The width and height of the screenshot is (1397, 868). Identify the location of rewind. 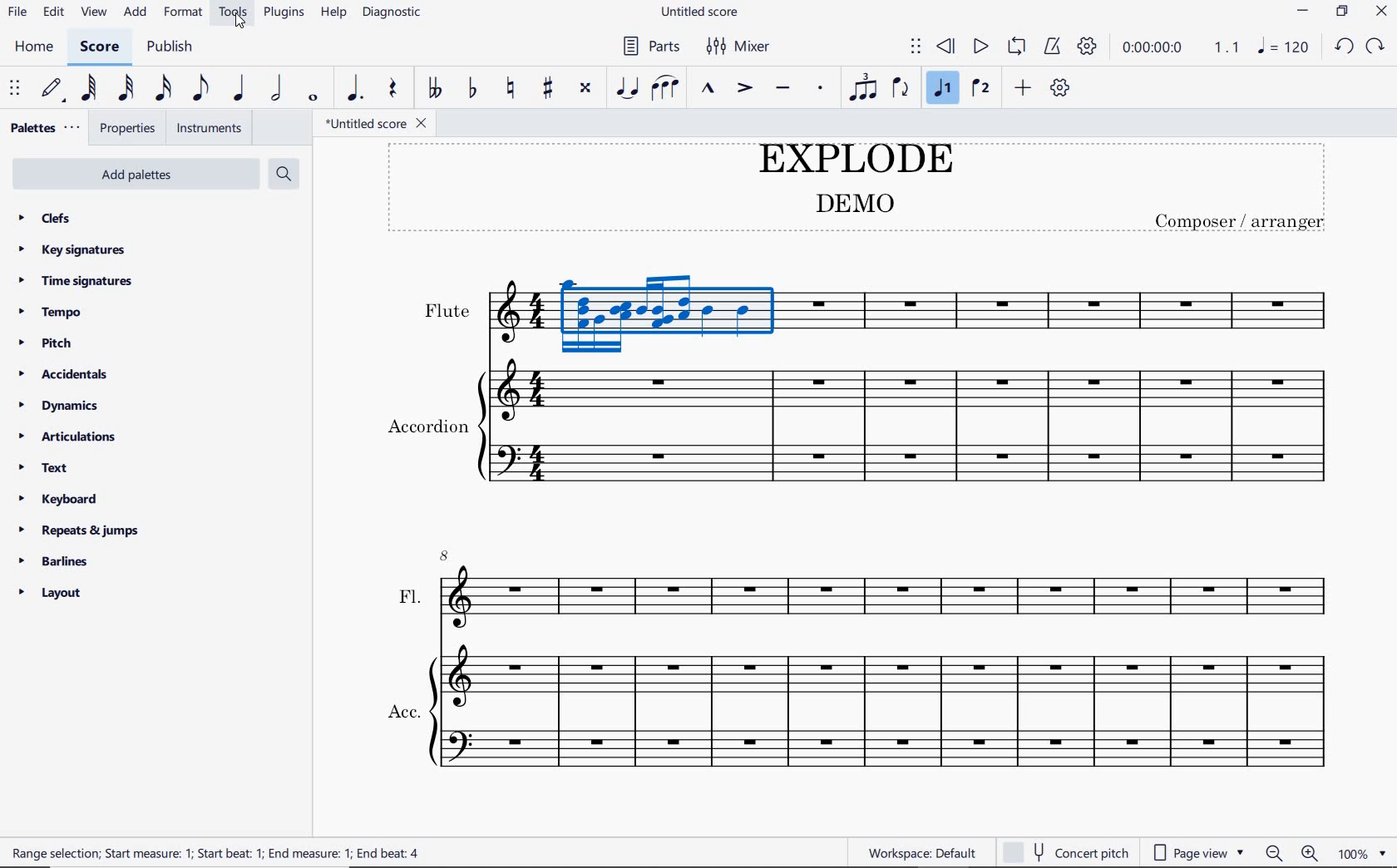
(949, 47).